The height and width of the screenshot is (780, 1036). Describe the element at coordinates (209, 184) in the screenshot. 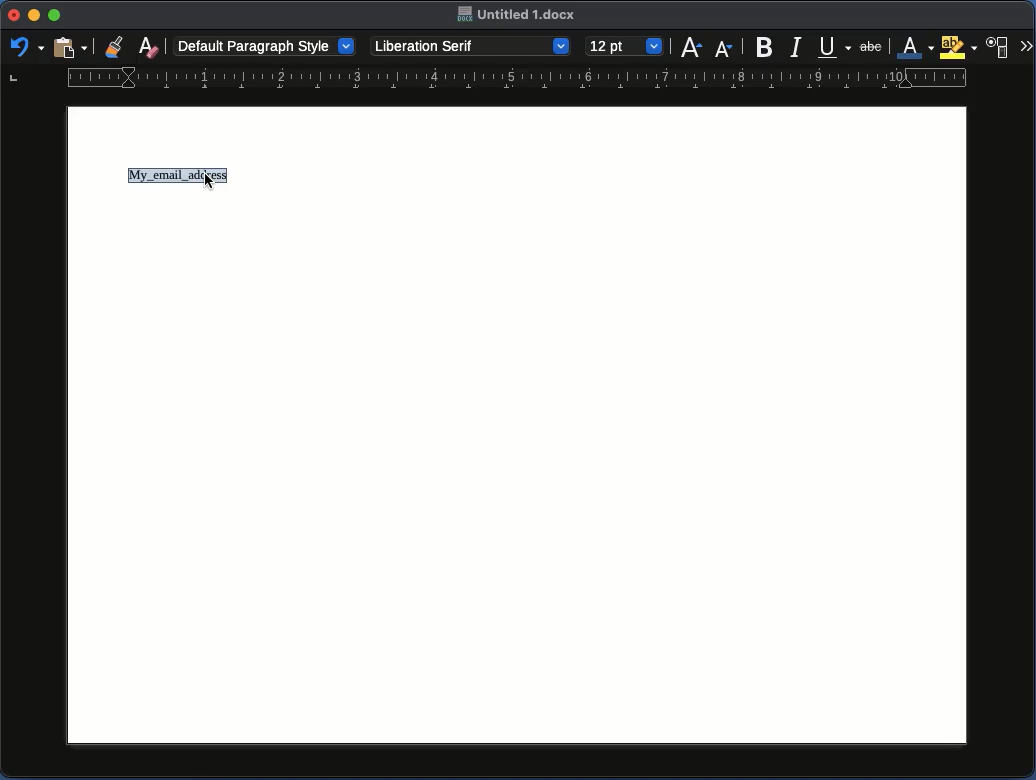

I see `curso` at that location.